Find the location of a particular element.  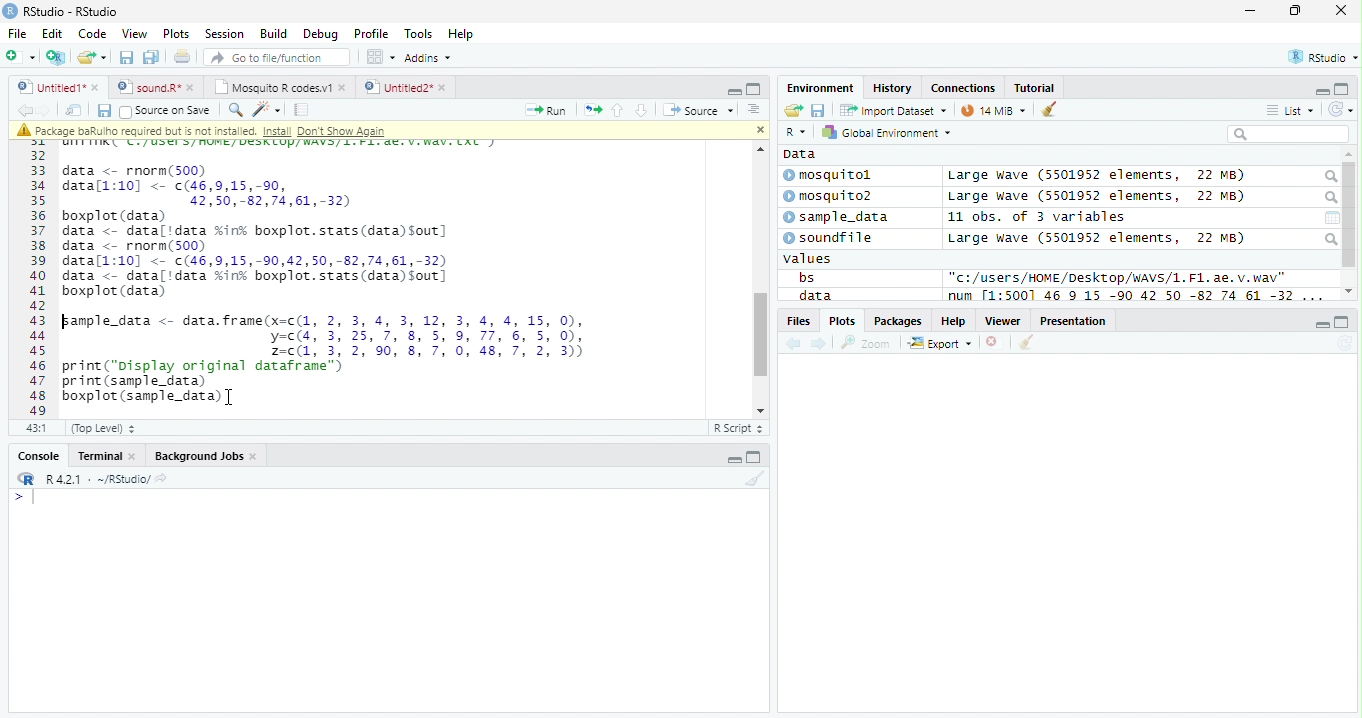

Code is located at coordinates (92, 34).